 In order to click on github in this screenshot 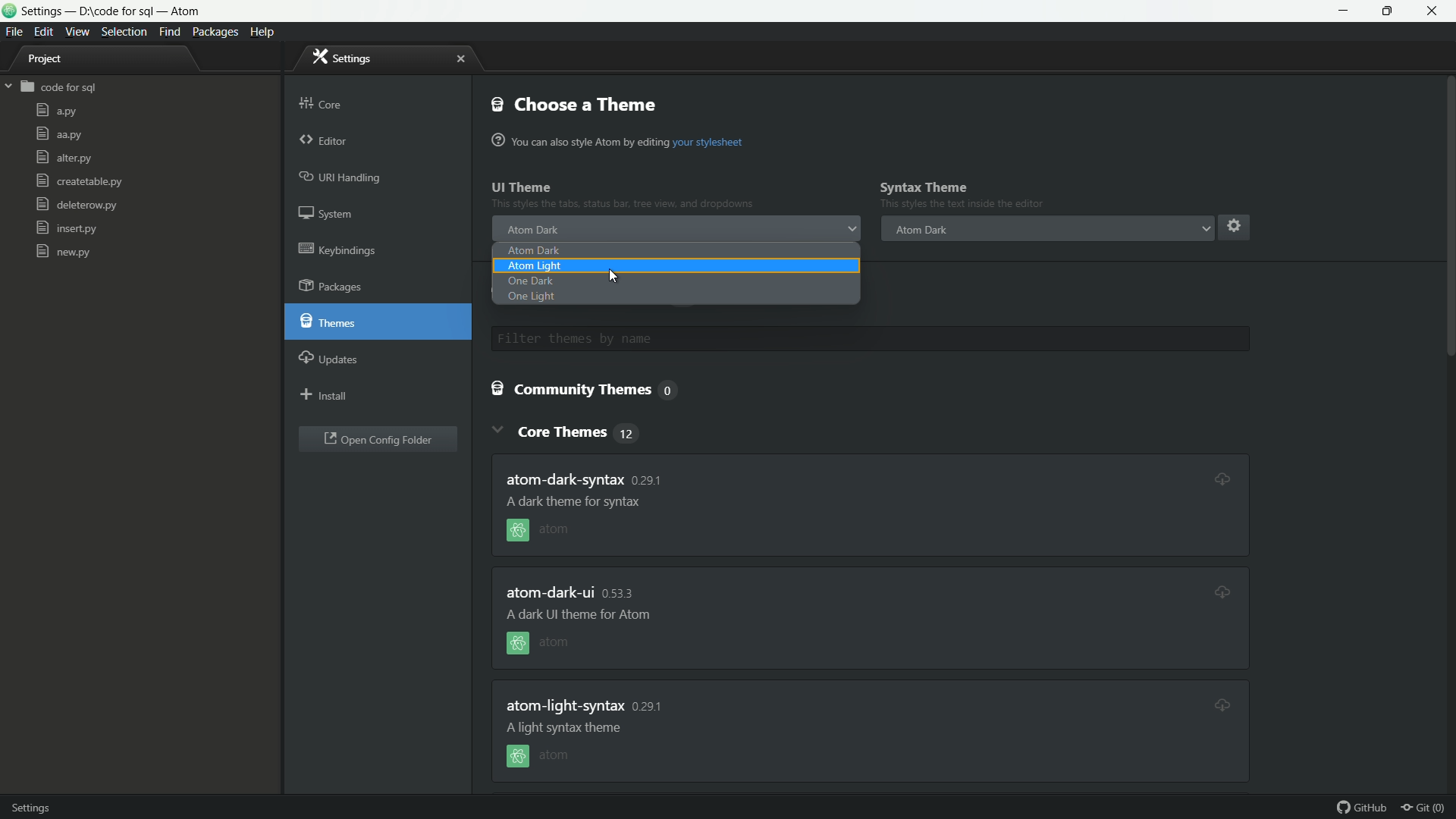, I will do `click(1363, 808)`.